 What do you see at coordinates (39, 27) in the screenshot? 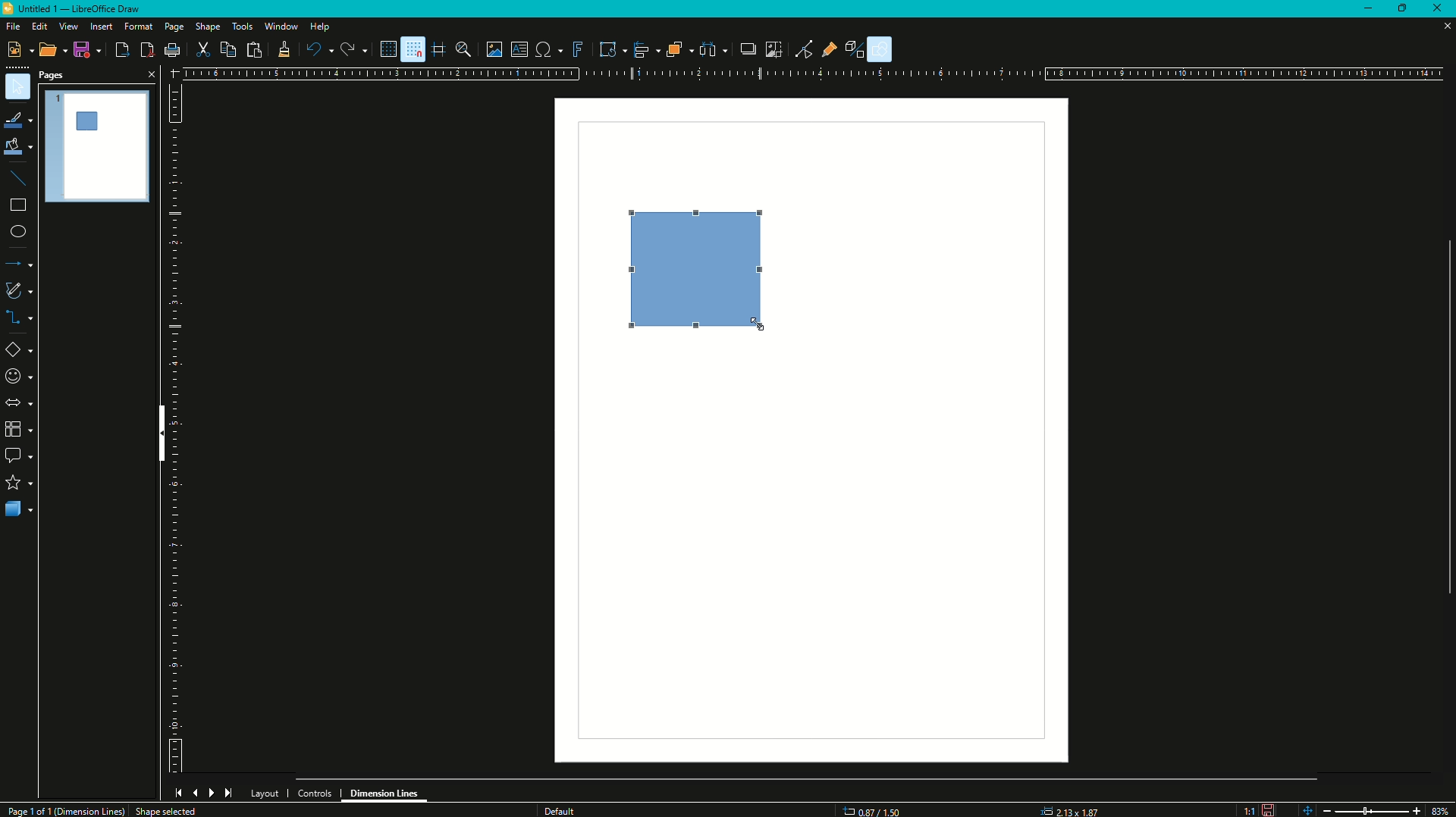
I see `Edit` at bounding box center [39, 27].